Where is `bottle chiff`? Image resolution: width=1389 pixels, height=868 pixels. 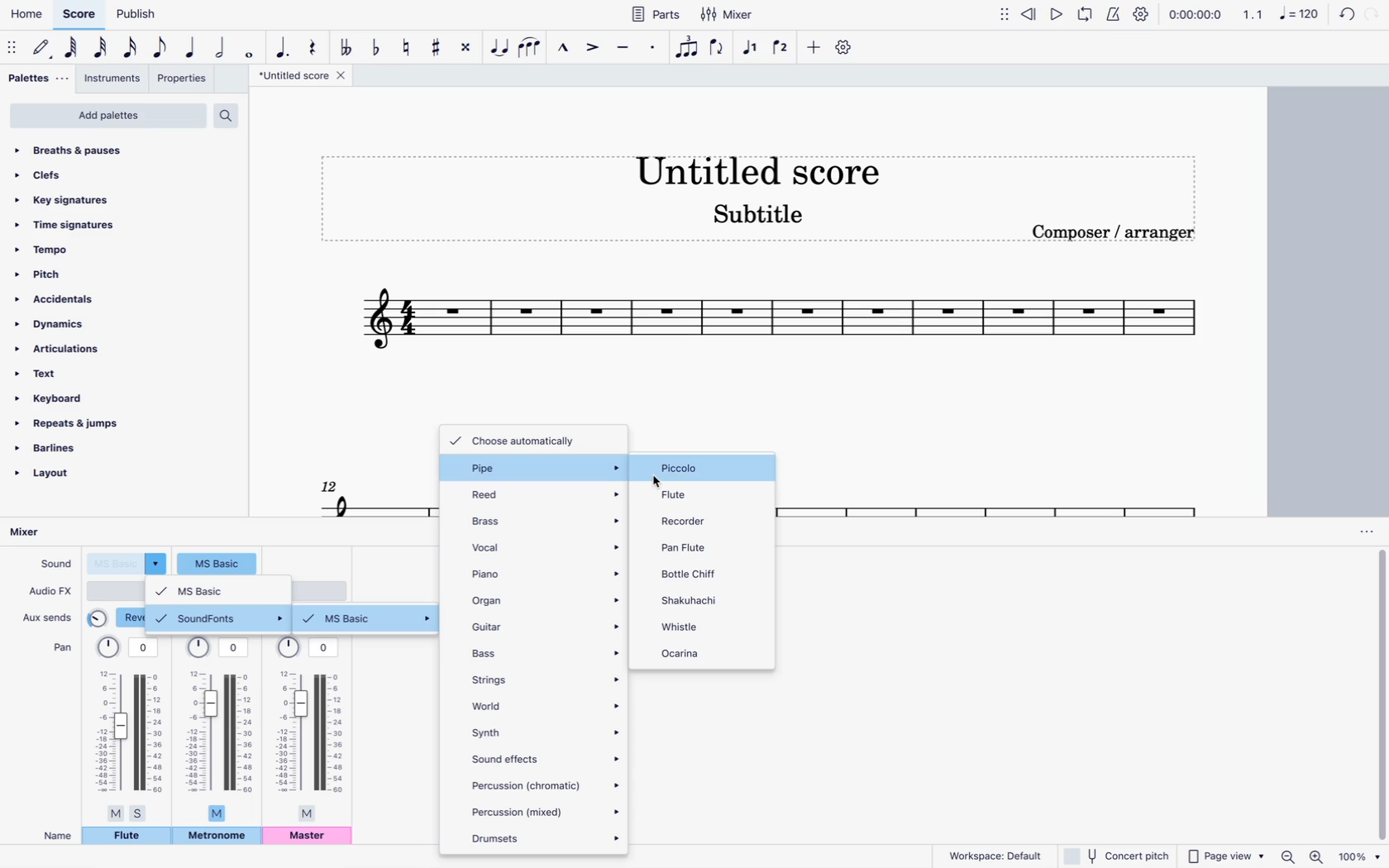
bottle chiff is located at coordinates (691, 572).